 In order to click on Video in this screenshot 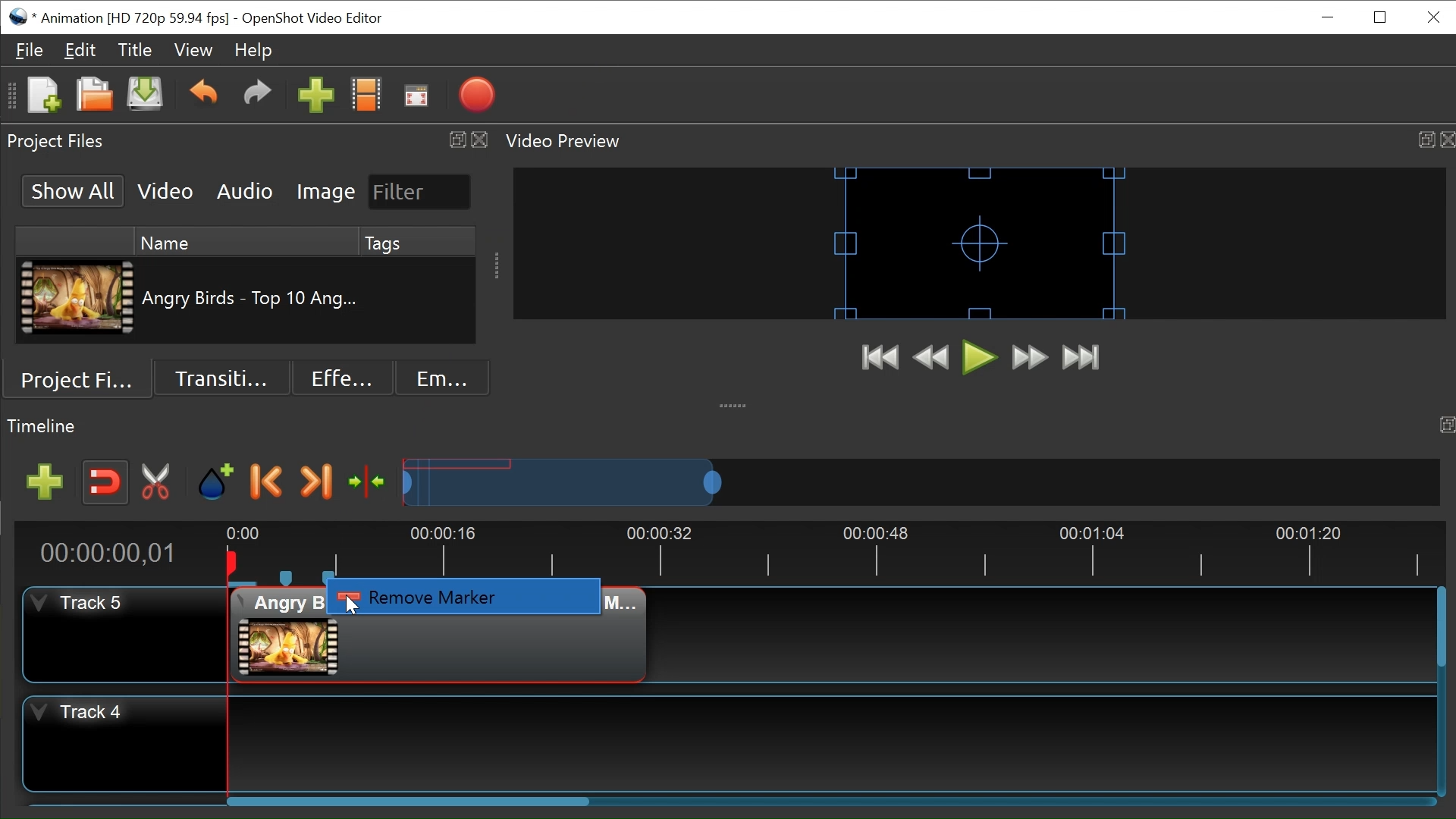, I will do `click(163, 192)`.